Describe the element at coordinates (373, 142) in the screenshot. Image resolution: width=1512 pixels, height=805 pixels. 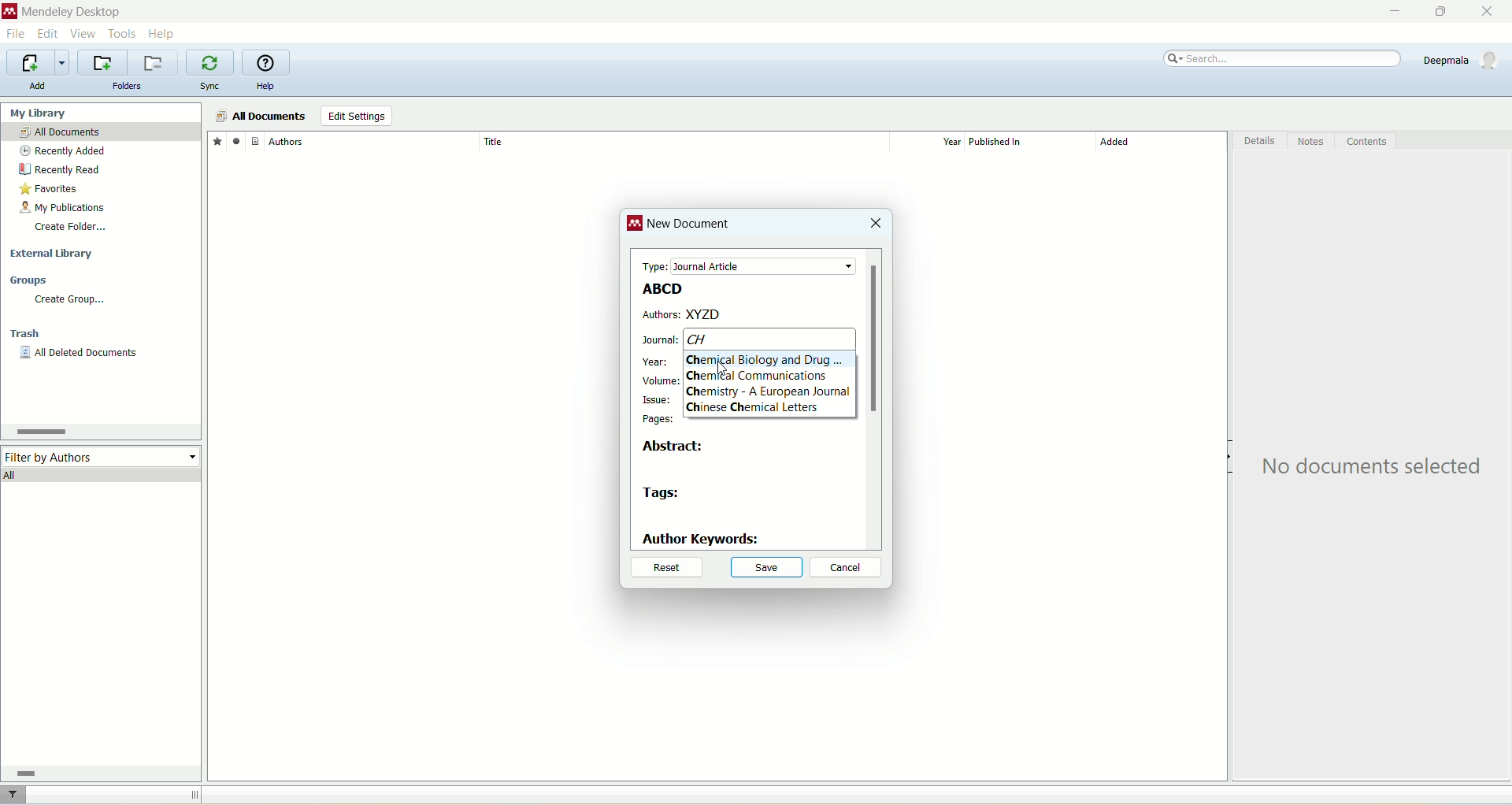
I see `author` at that location.